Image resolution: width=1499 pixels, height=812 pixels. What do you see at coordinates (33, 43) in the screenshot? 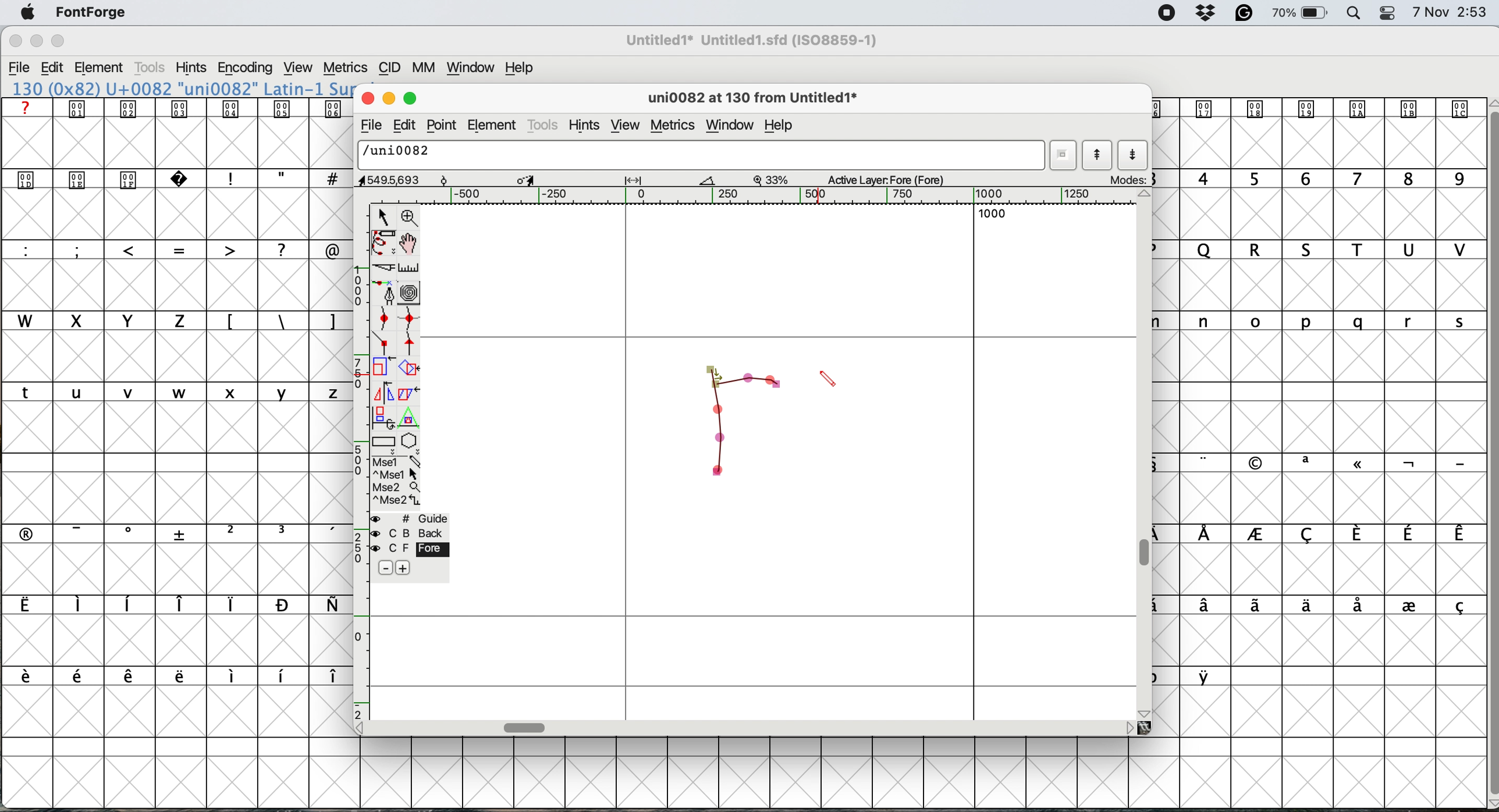
I see `minimise` at bounding box center [33, 43].